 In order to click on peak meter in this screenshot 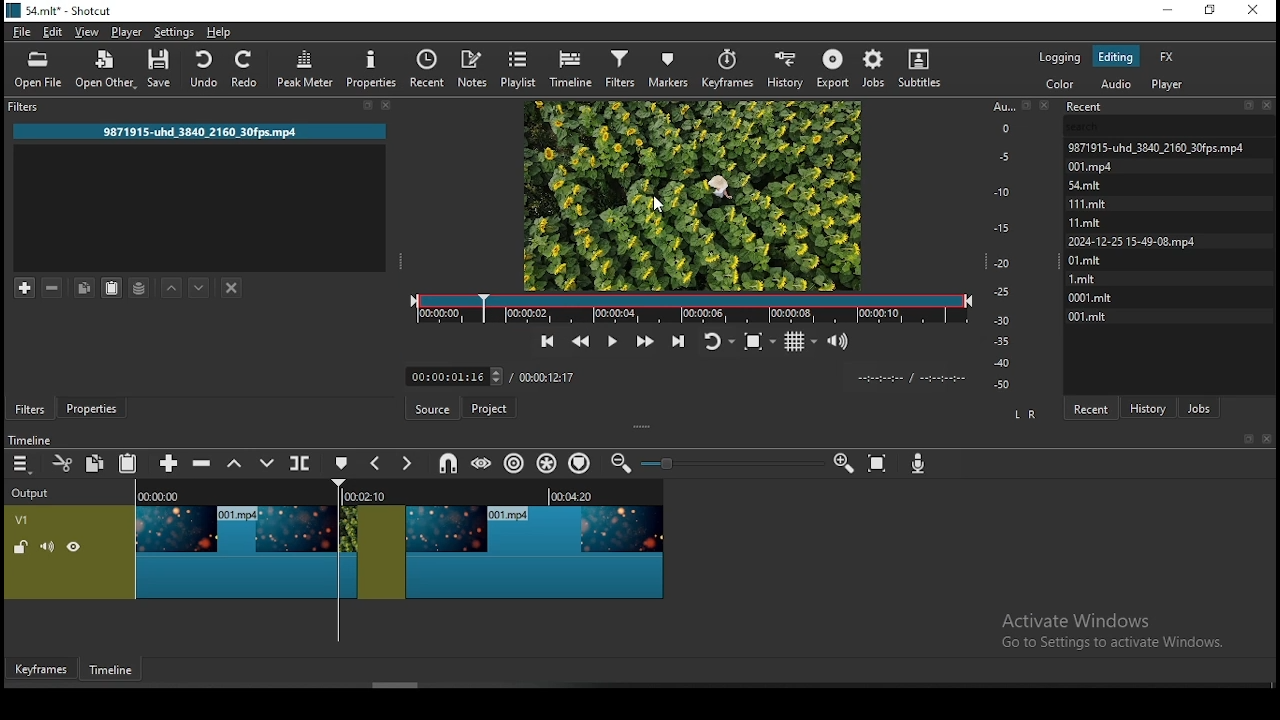, I will do `click(307, 66)`.